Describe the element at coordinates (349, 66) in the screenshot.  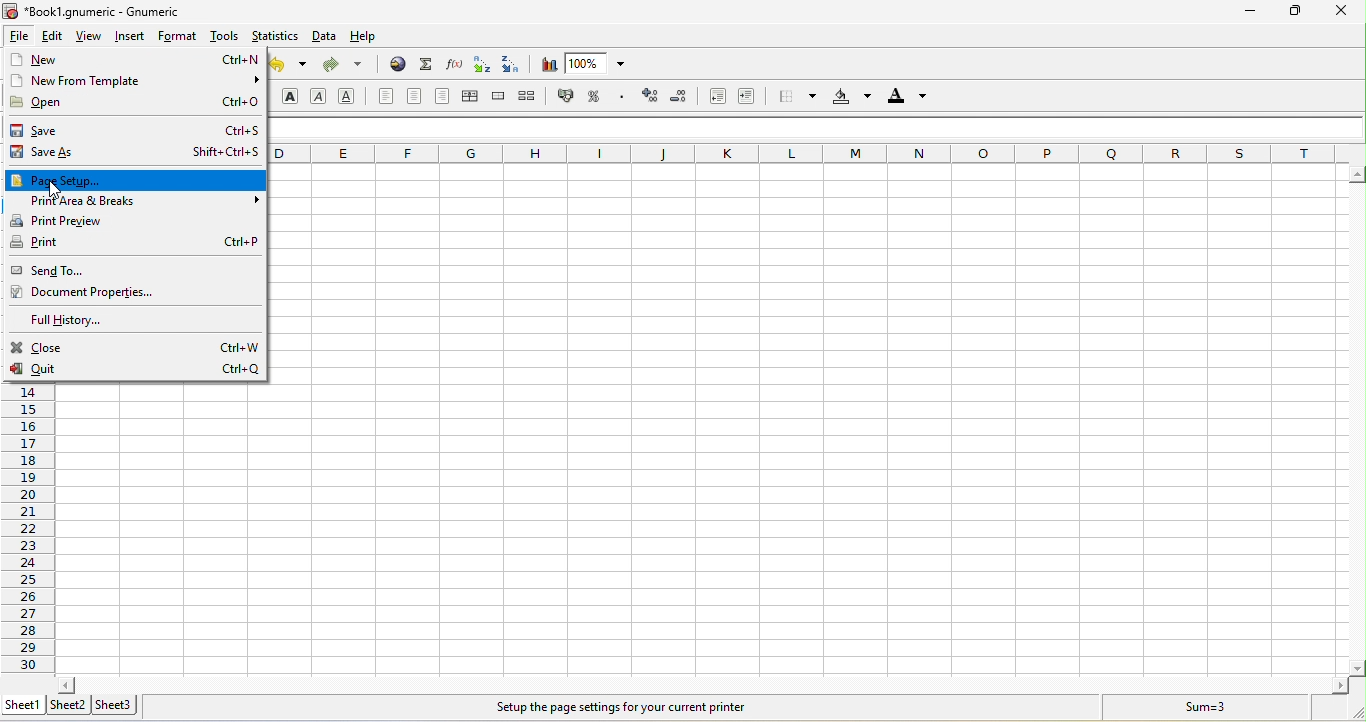
I see `redo` at that location.